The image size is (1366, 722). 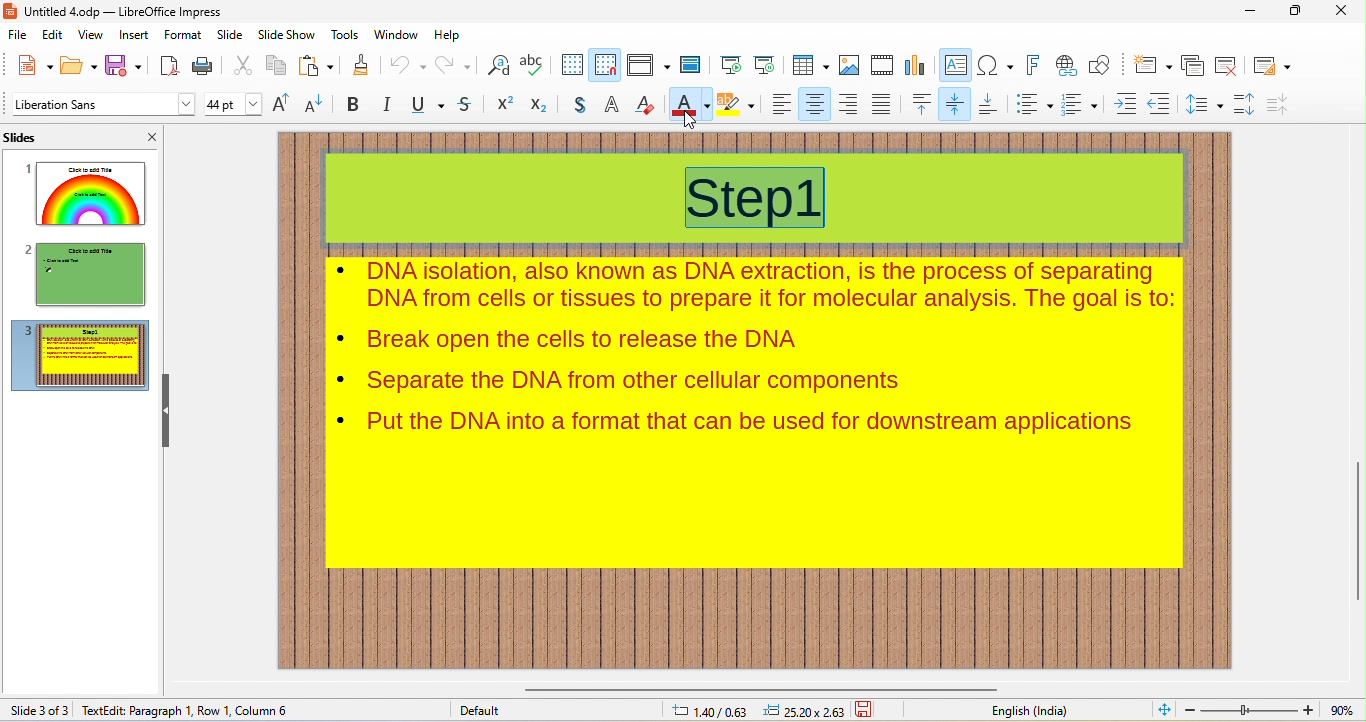 What do you see at coordinates (879, 64) in the screenshot?
I see `media` at bounding box center [879, 64].